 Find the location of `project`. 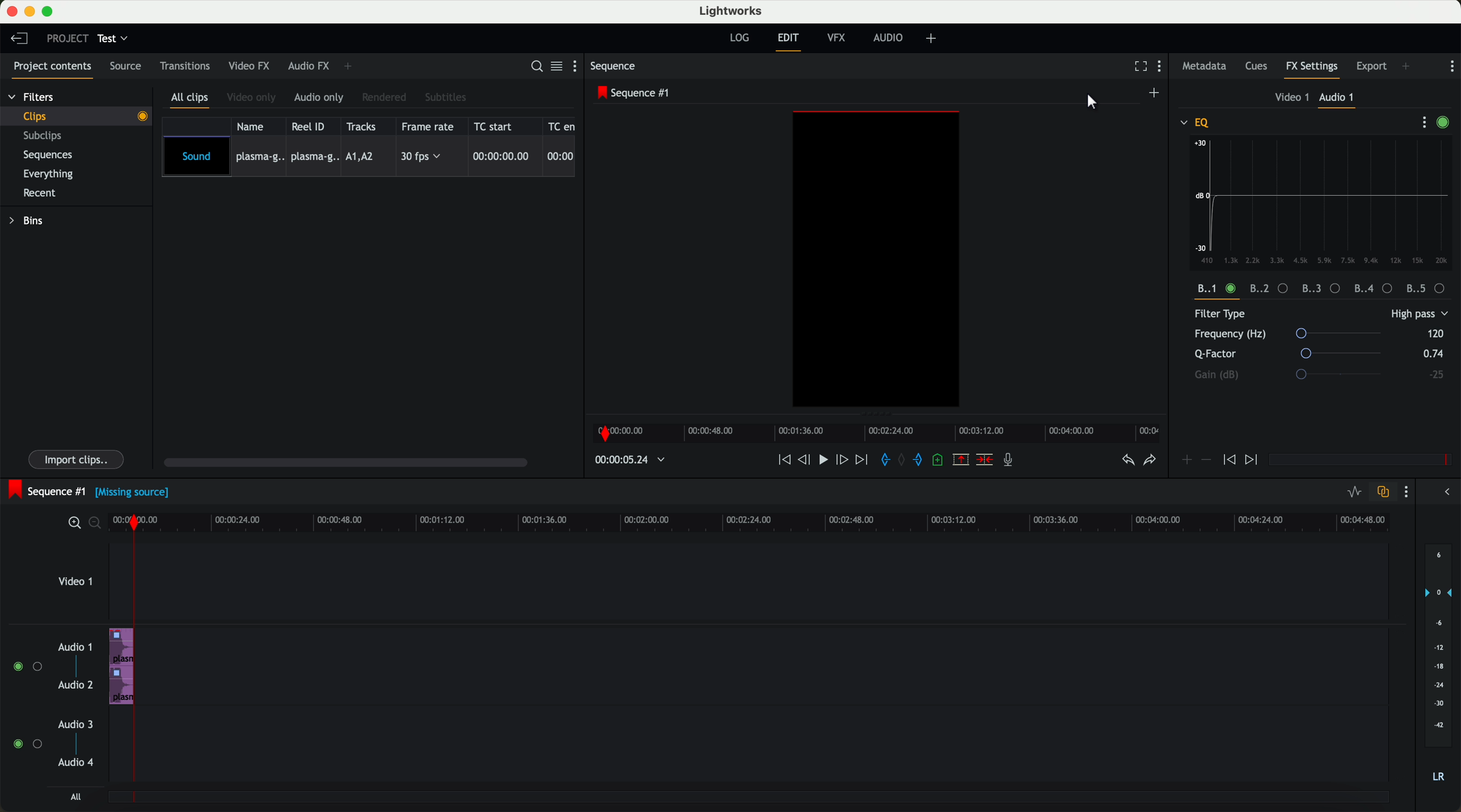

project is located at coordinates (65, 38).